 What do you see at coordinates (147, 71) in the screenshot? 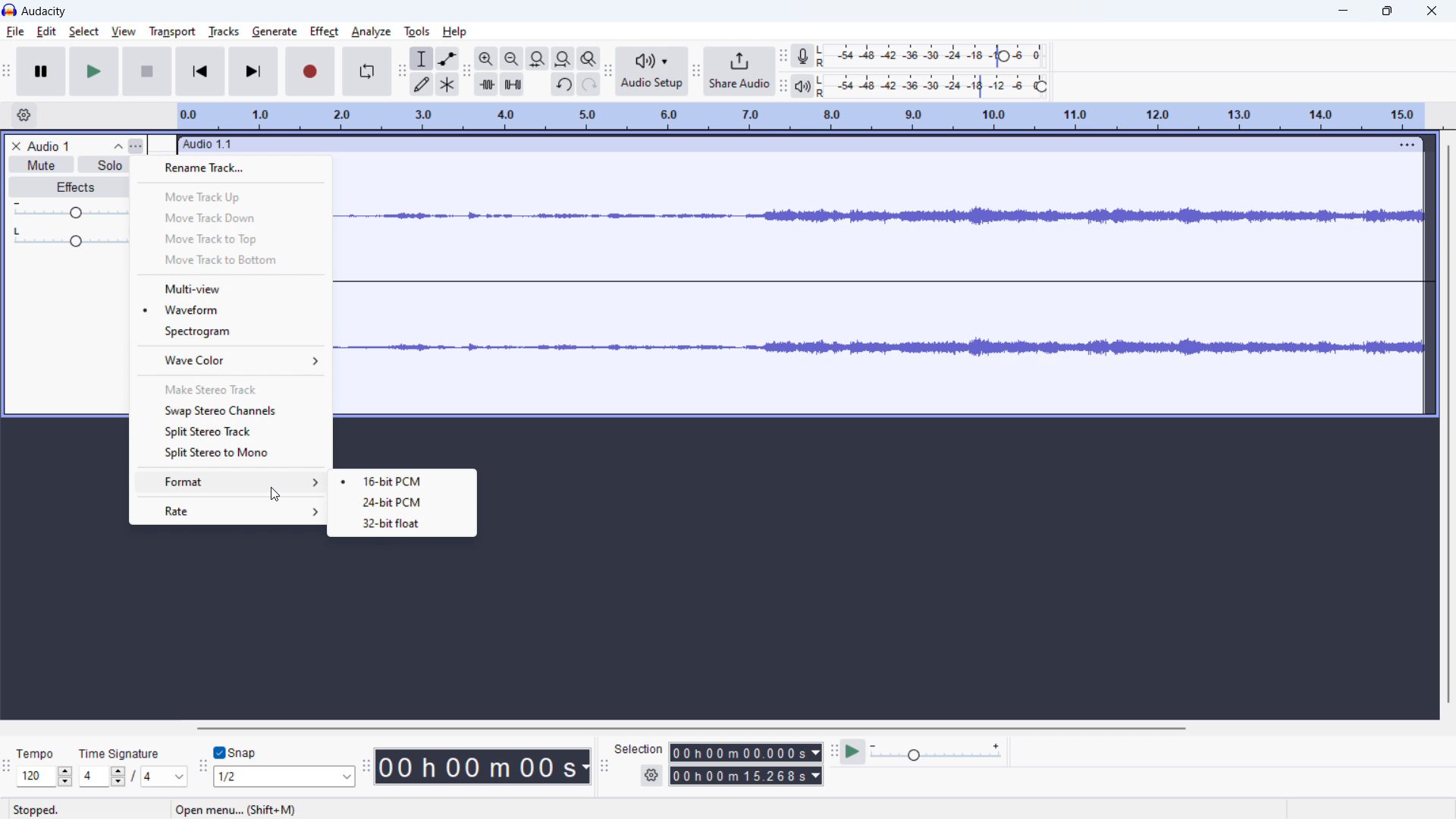
I see `stop` at bounding box center [147, 71].